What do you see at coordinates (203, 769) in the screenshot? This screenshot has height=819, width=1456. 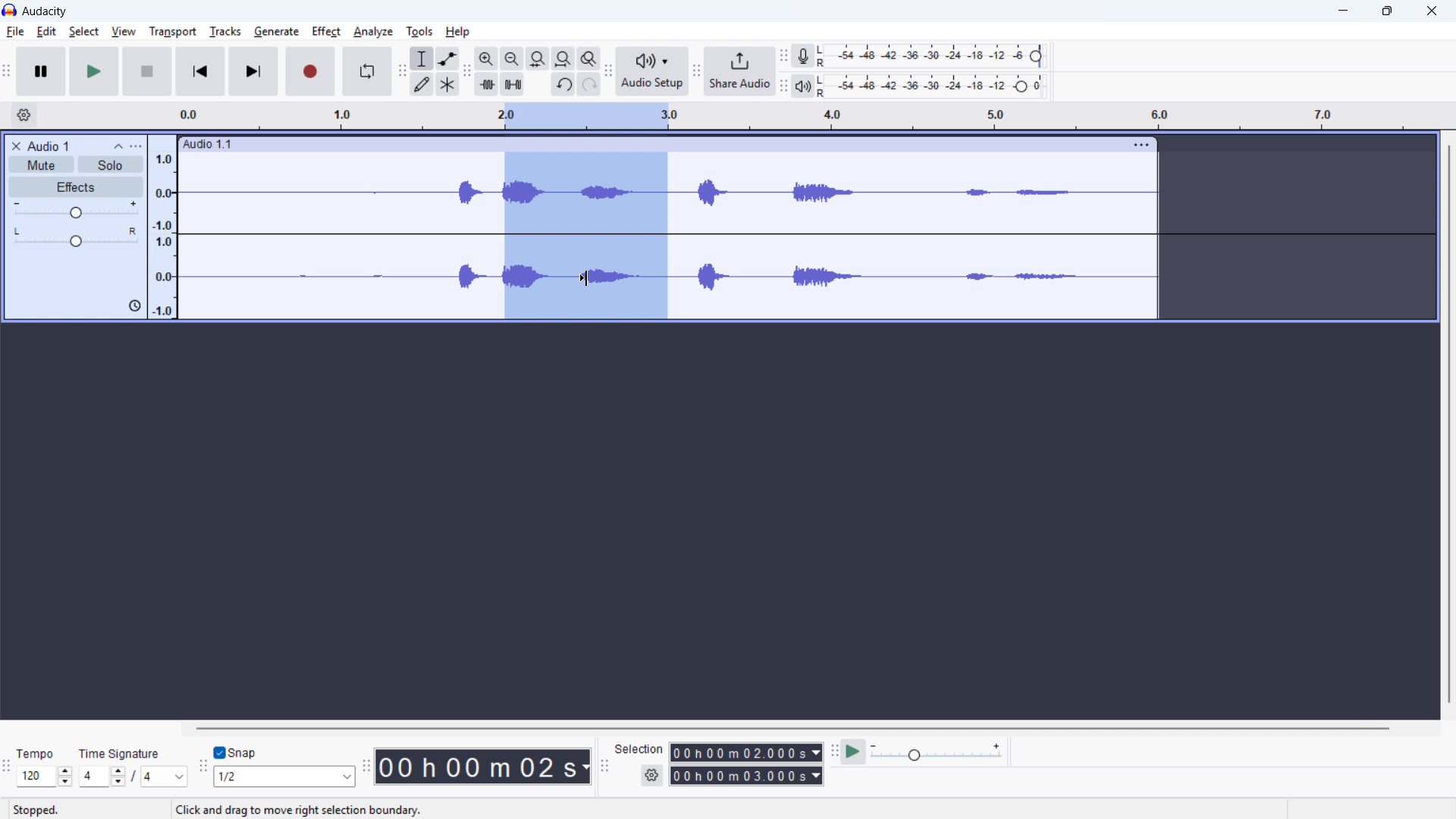 I see `Snapping toolbar ` at bounding box center [203, 769].